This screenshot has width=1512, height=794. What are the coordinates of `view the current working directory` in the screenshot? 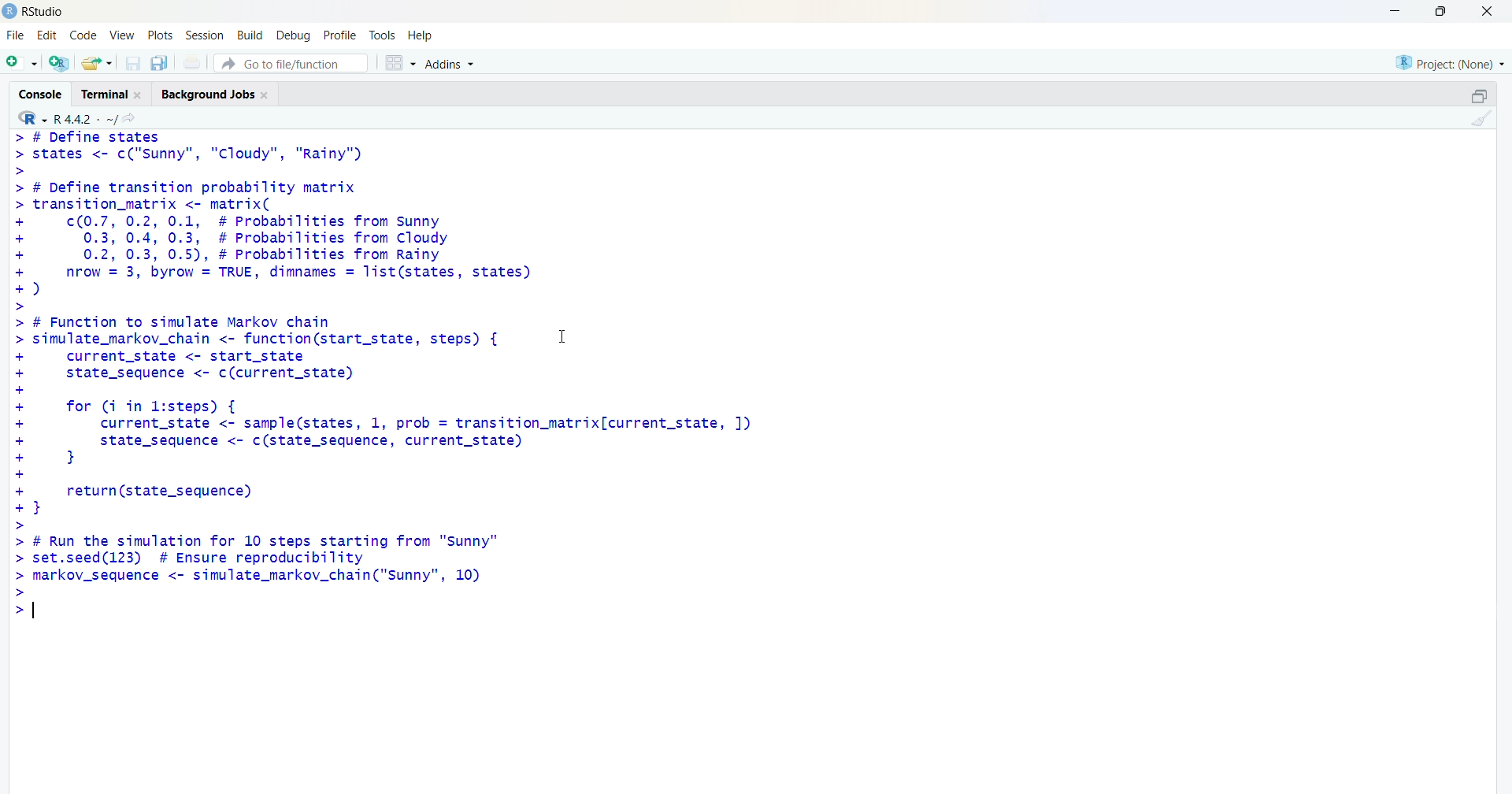 It's located at (134, 118).